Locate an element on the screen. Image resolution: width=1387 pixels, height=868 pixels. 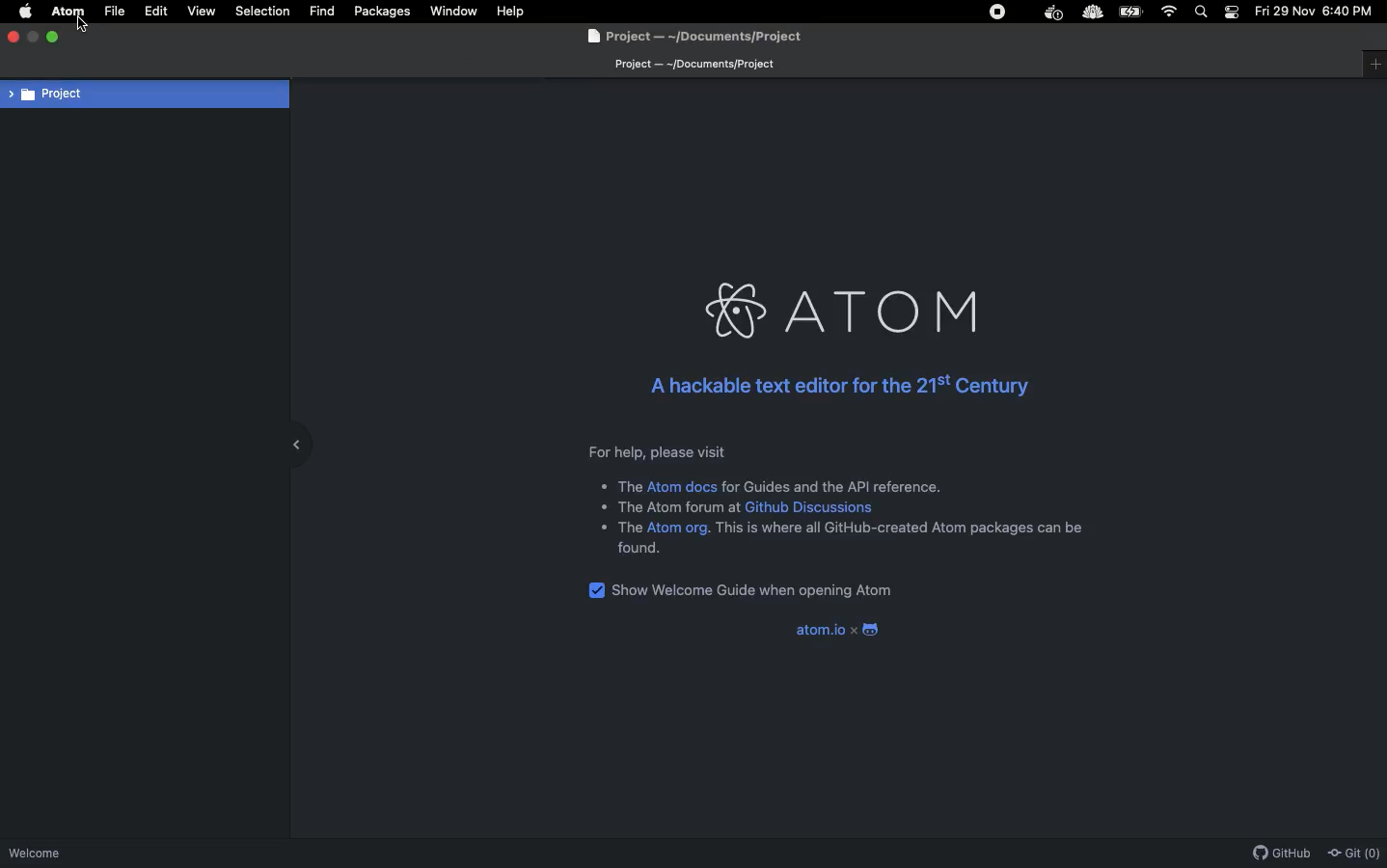
extension is located at coordinates (1052, 14).